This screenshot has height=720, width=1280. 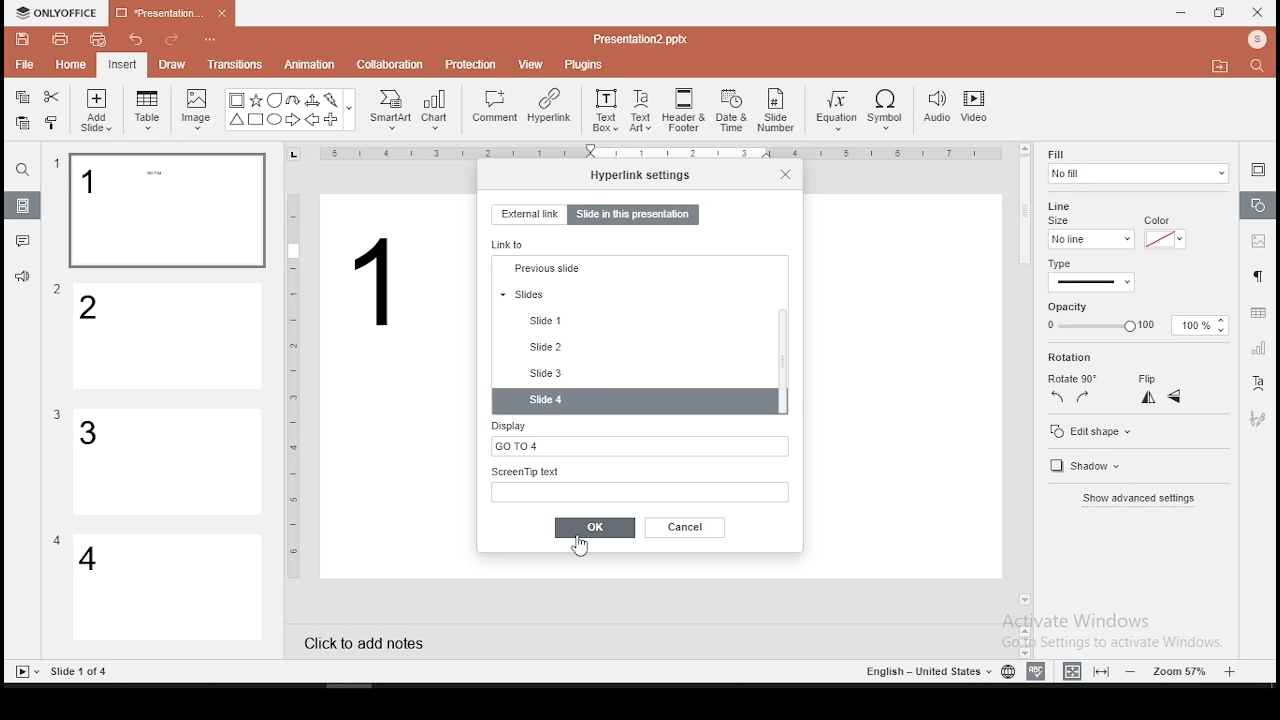 What do you see at coordinates (471, 63) in the screenshot?
I see `protection` at bounding box center [471, 63].